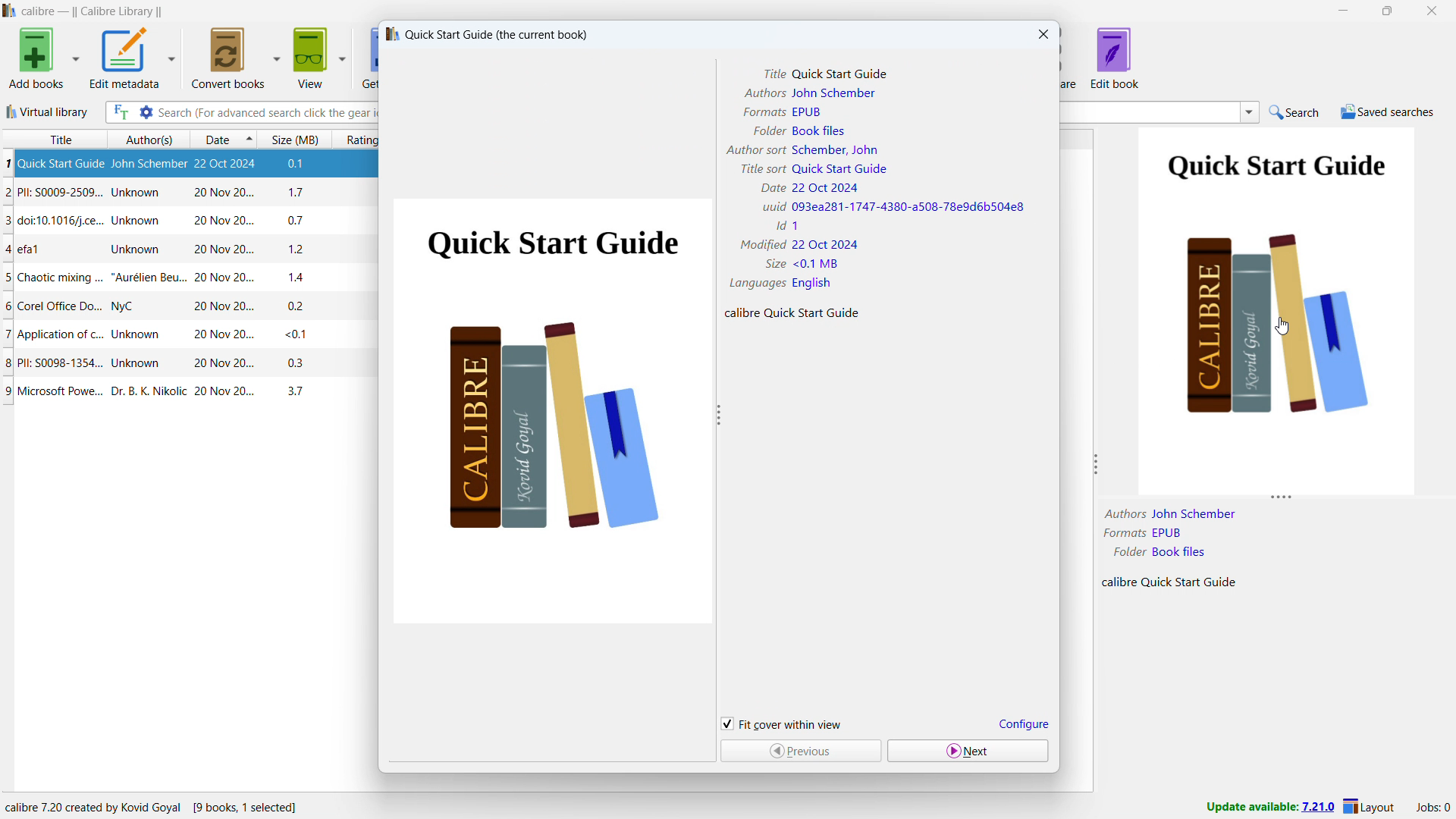  What do you see at coordinates (1180, 551) in the screenshot?
I see `Book File` at bounding box center [1180, 551].